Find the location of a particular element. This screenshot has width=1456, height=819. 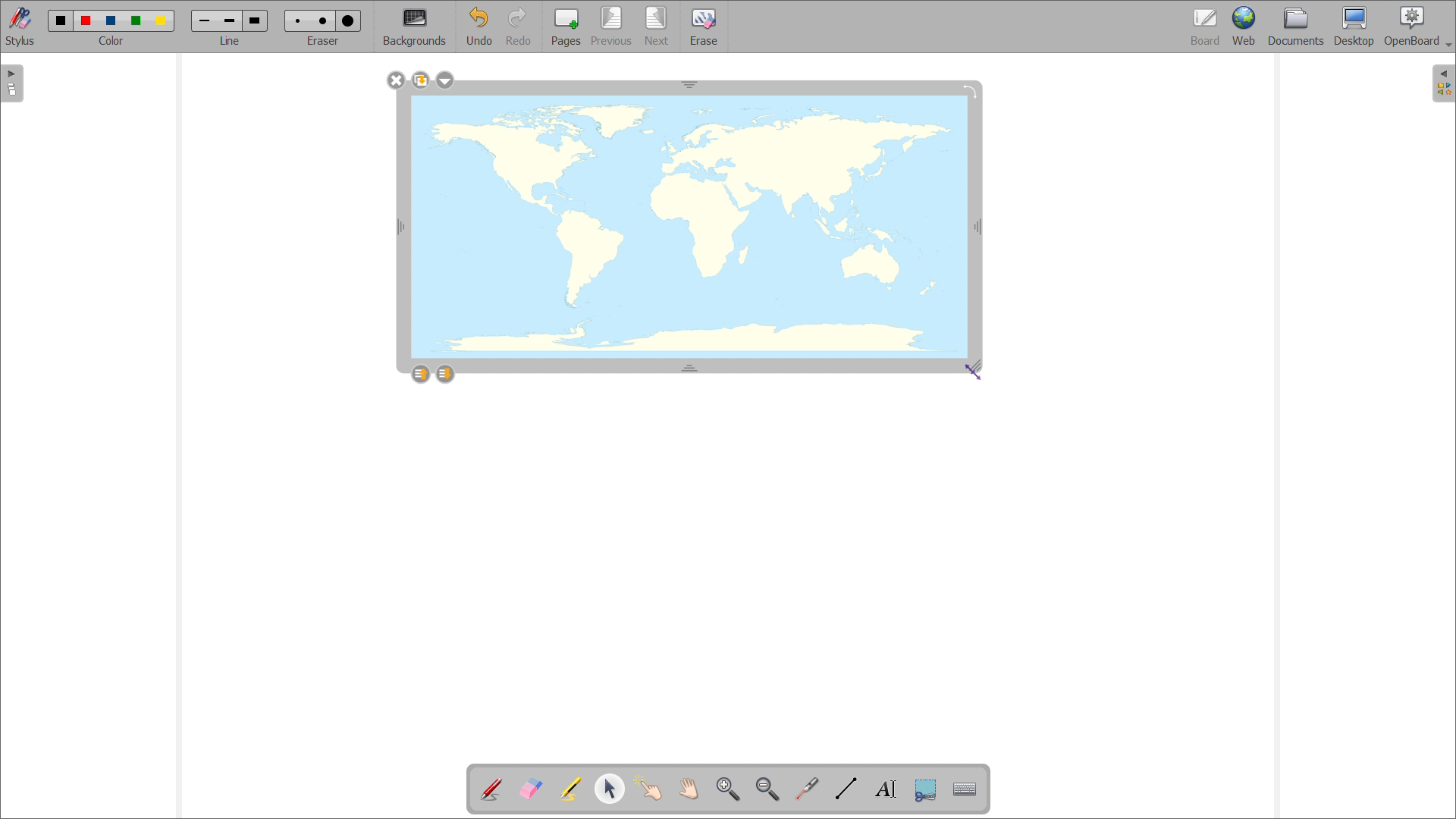

resize is located at coordinates (979, 226).